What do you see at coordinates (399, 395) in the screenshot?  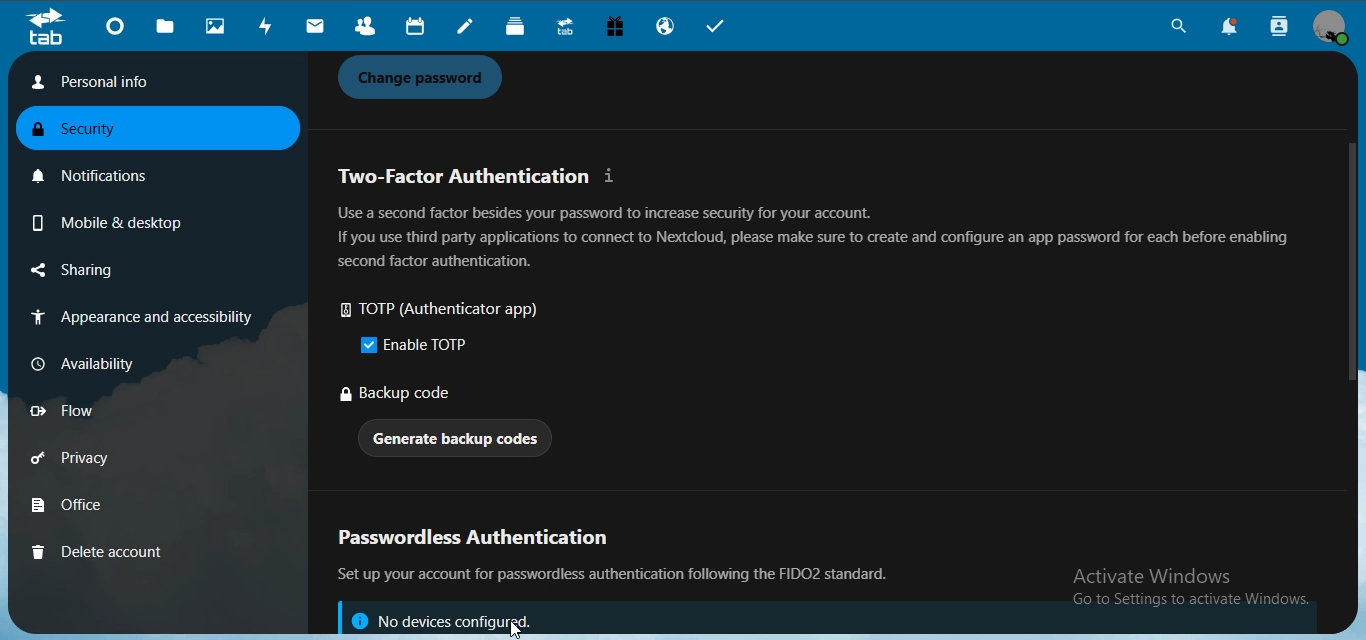 I see `backup code` at bounding box center [399, 395].